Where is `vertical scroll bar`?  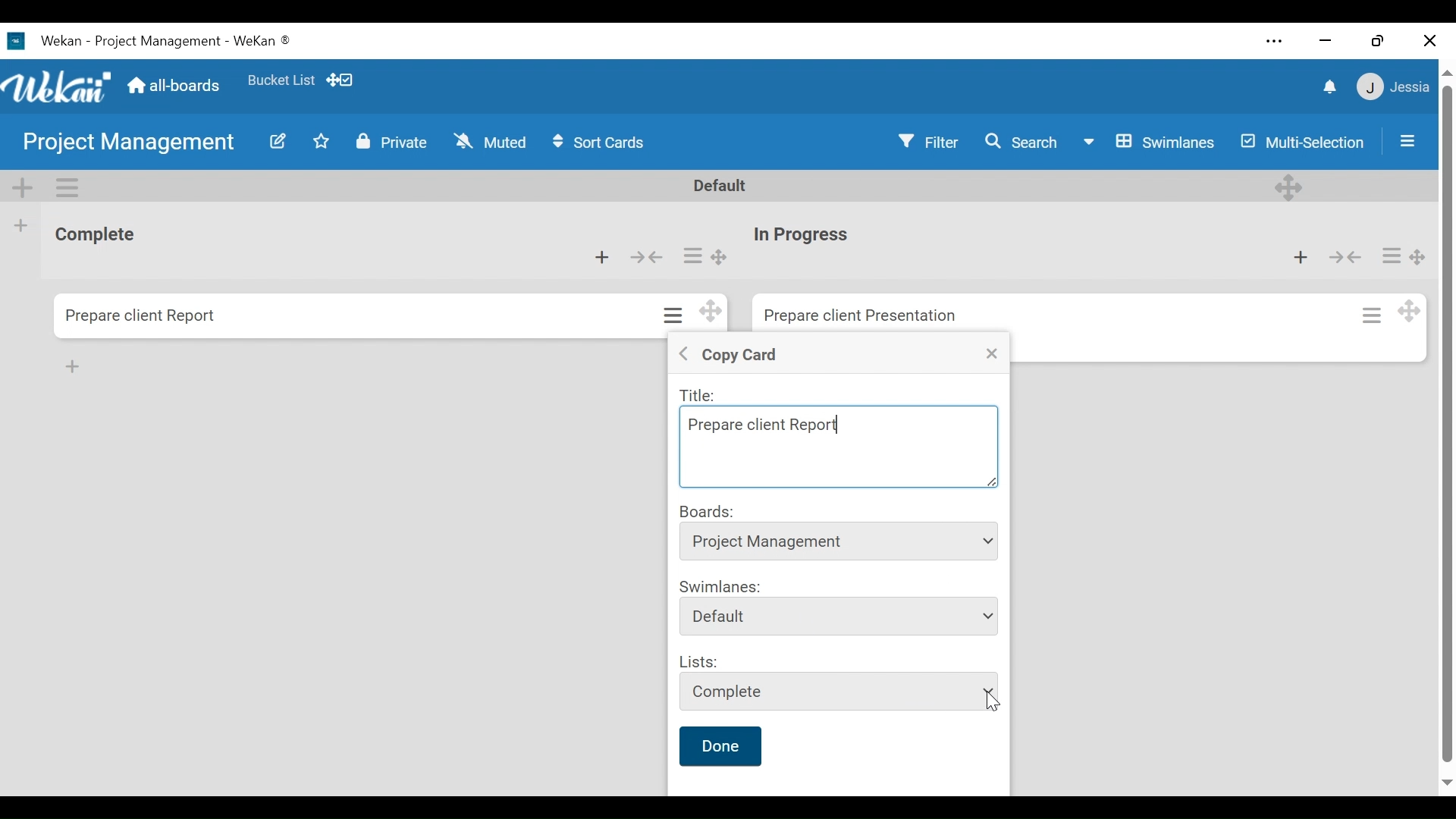
vertical scroll bar is located at coordinates (1447, 424).